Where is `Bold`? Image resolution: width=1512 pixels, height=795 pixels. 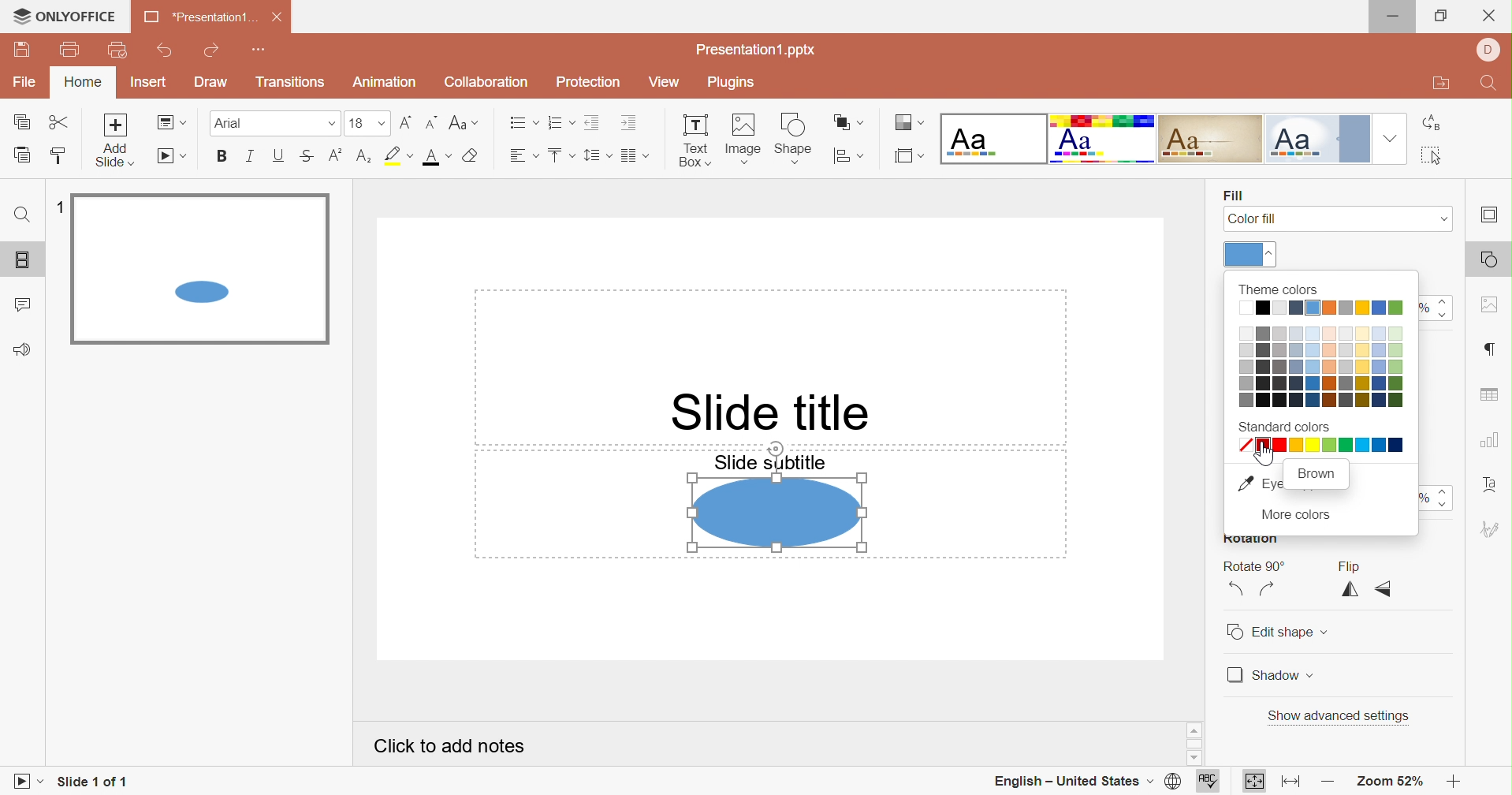 Bold is located at coordinates (224, 157).